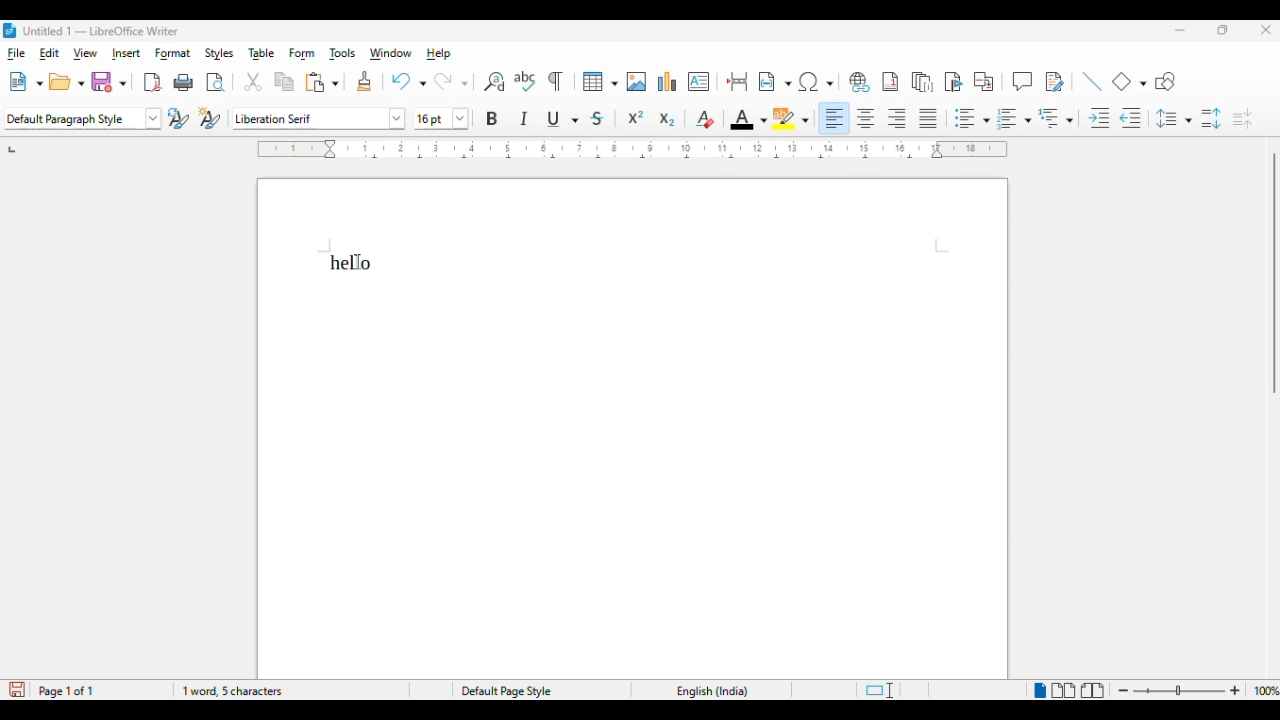 The height and width of the screenshot is (720, 1280). Describe the element at coordinates (923, 82) in the screenshot. I see `insert endnote` at that location.